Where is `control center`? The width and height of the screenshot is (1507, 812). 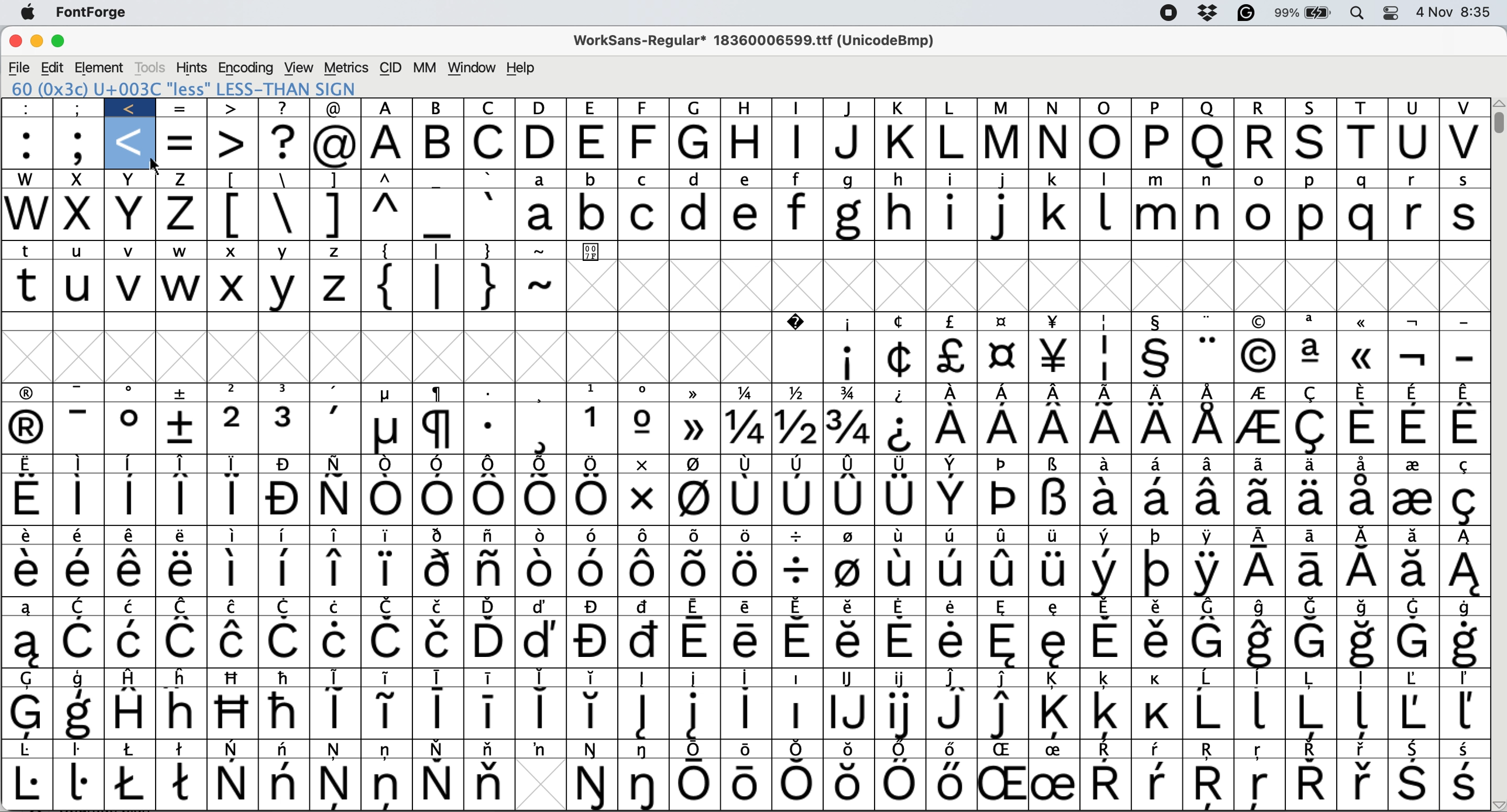 control center is located at coordinates (1395, 13).